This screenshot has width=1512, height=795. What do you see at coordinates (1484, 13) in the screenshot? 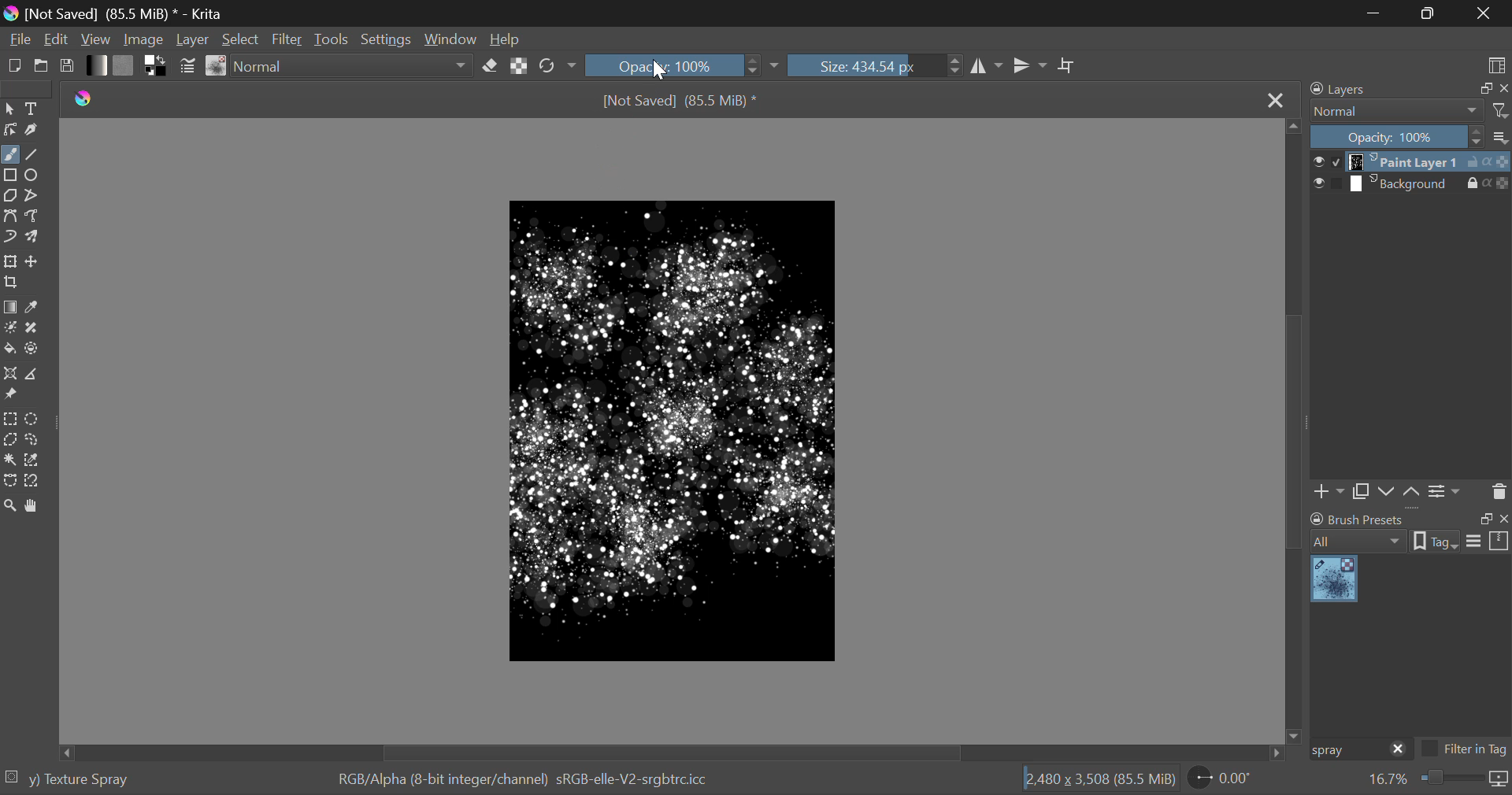
I see `Close` at bounding box center [1484, 13].